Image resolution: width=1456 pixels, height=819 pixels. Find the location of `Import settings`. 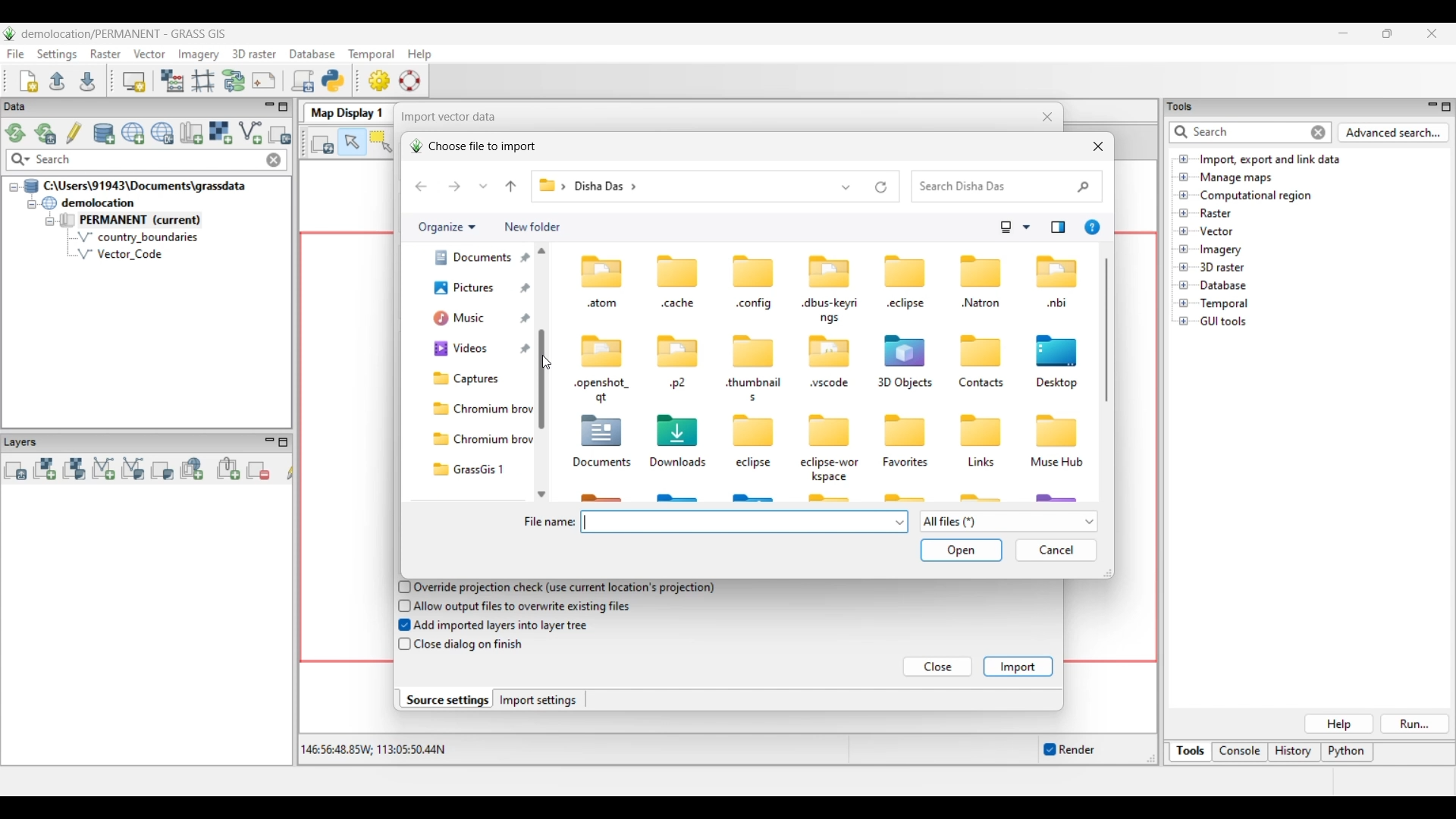

Import settings is located at coordinates (538, 700).